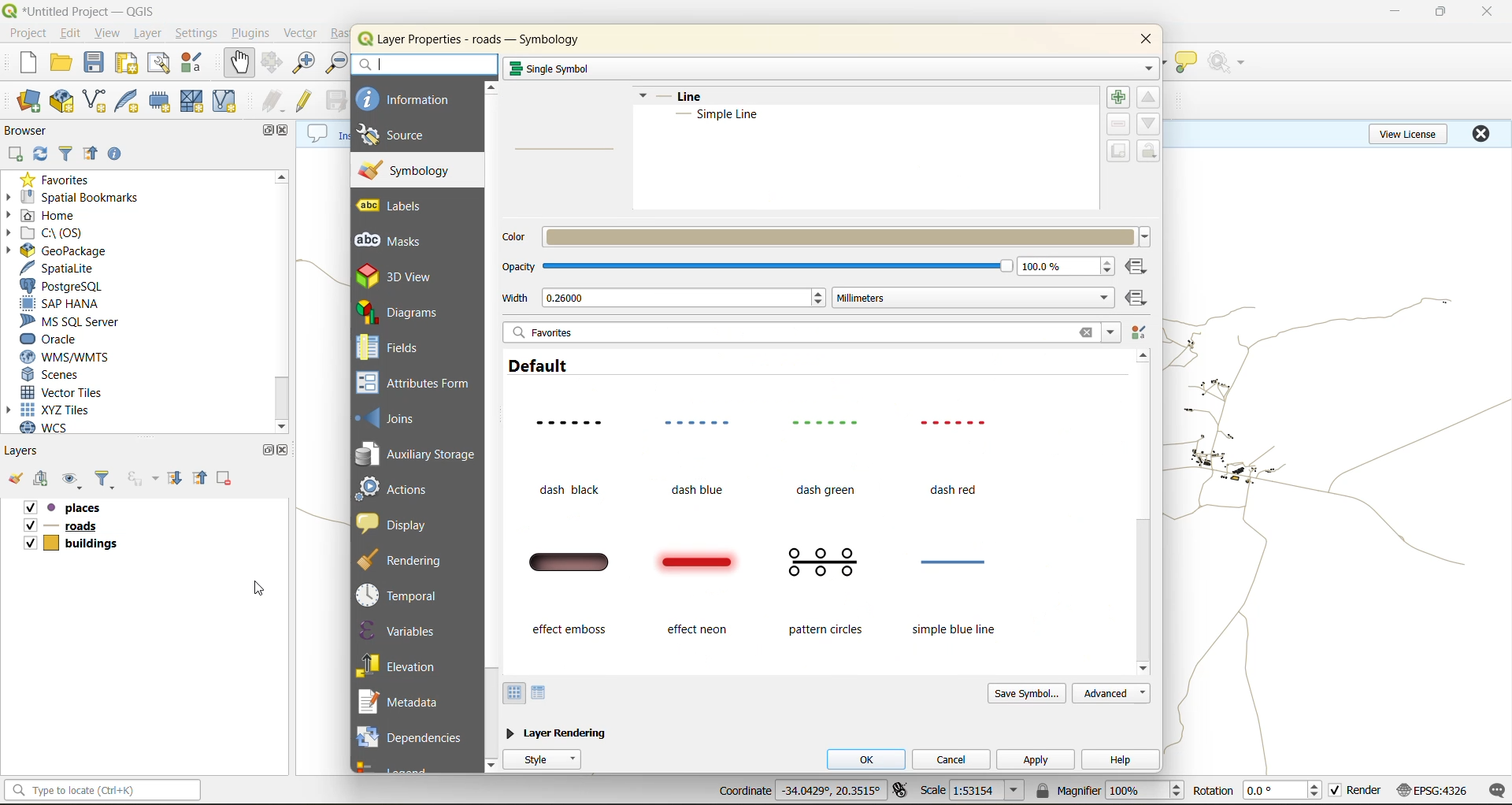 The width and height of the screenshot is (1512, 805). I want to click on collapse all, so click(92, 156).